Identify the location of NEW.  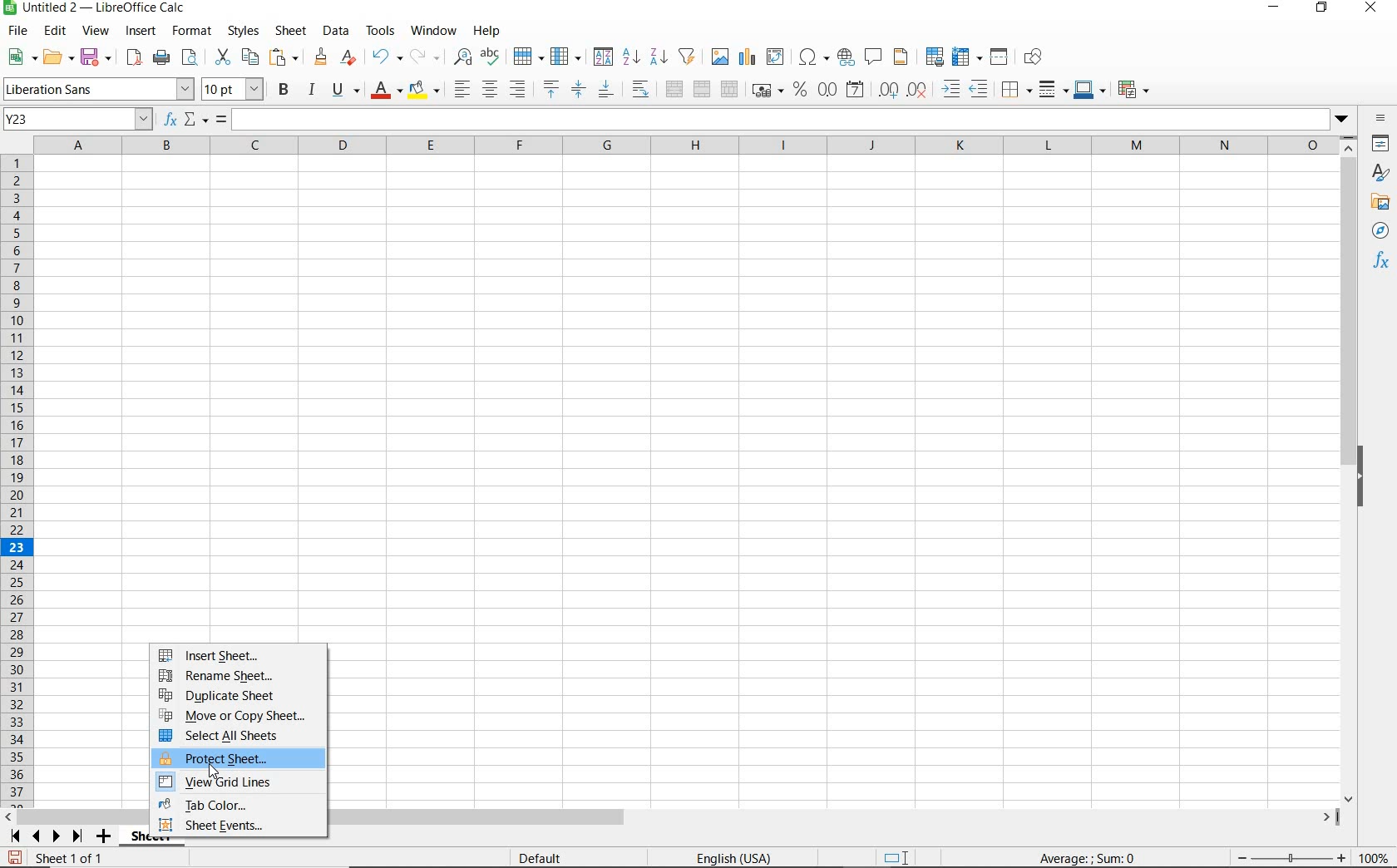
(18, 57).